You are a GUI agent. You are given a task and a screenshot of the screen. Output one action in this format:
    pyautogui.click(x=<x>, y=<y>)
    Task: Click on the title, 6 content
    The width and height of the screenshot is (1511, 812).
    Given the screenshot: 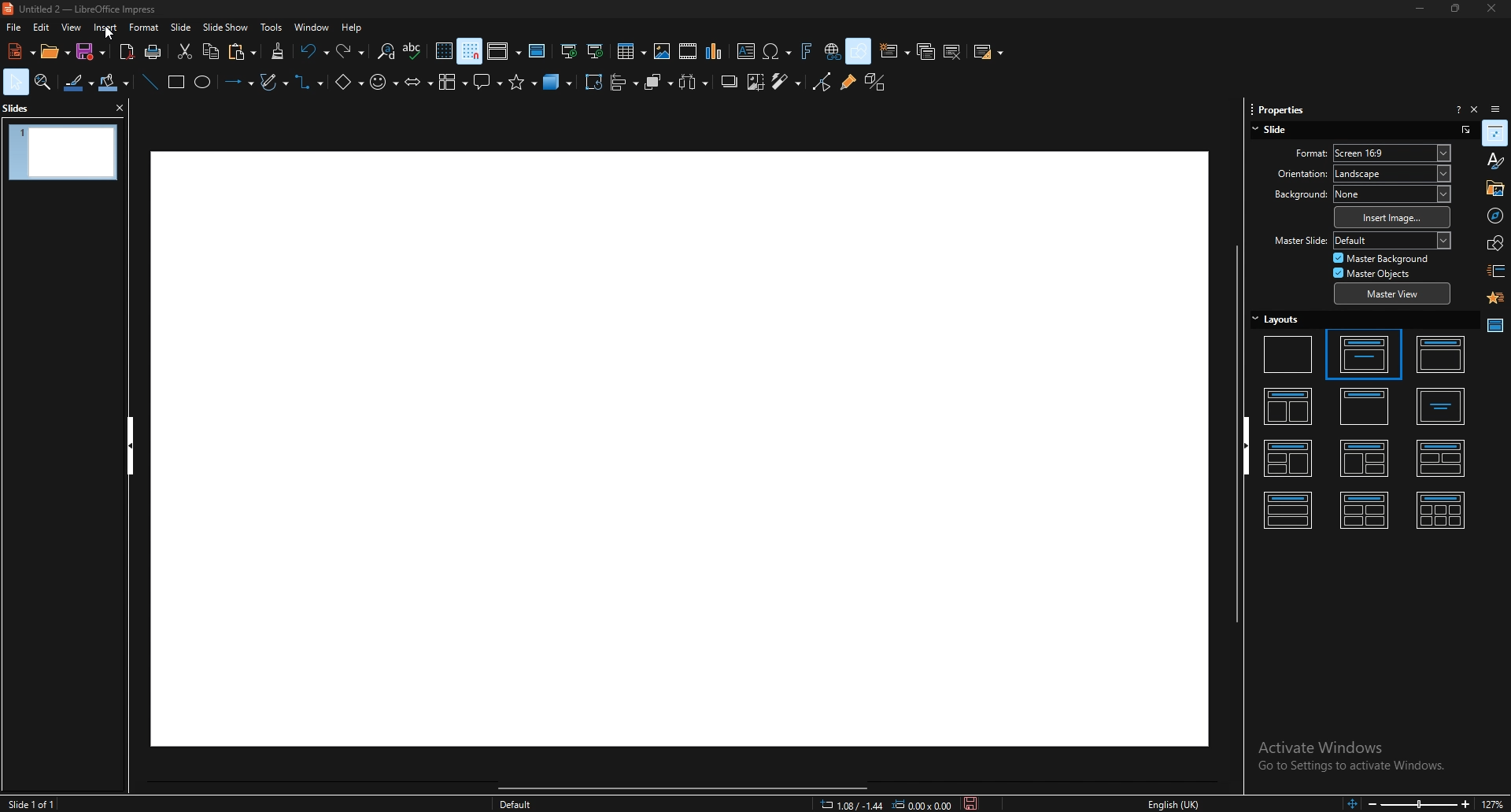 What is the action you would take?
    pyautogui.click(x=1443, y=509)
    